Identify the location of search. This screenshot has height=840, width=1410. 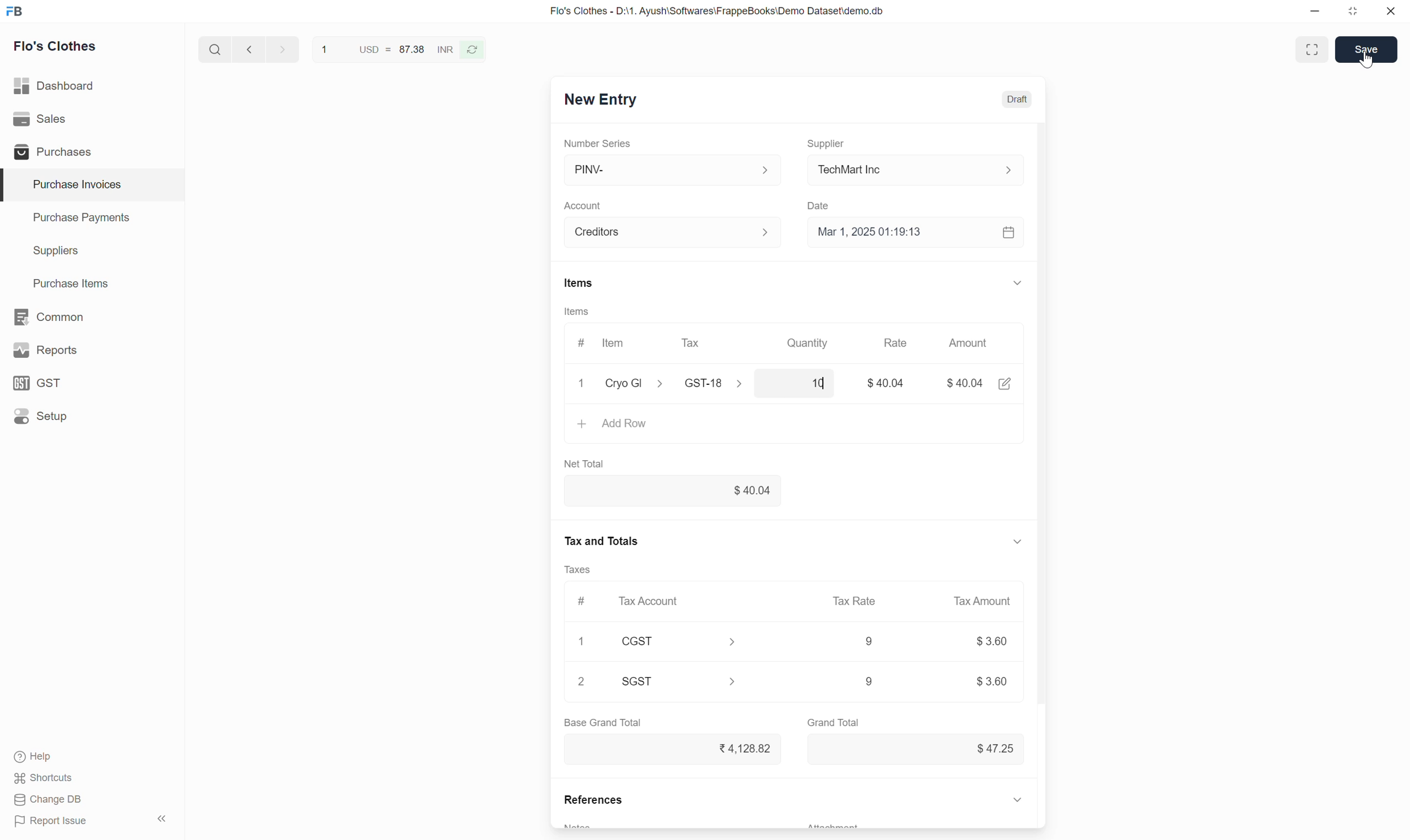
(213, 47).